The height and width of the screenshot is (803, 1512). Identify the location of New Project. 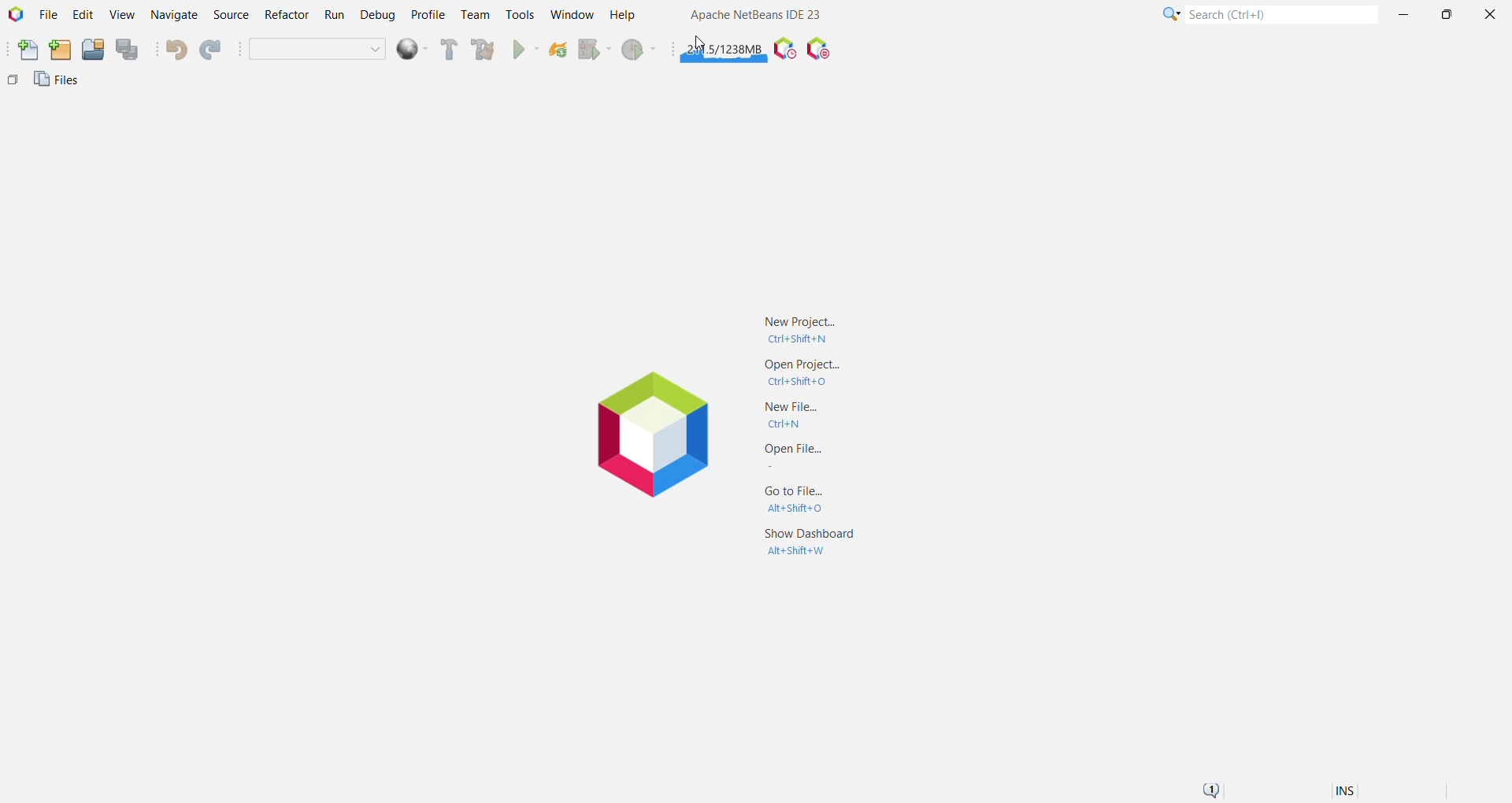
(803, 326).